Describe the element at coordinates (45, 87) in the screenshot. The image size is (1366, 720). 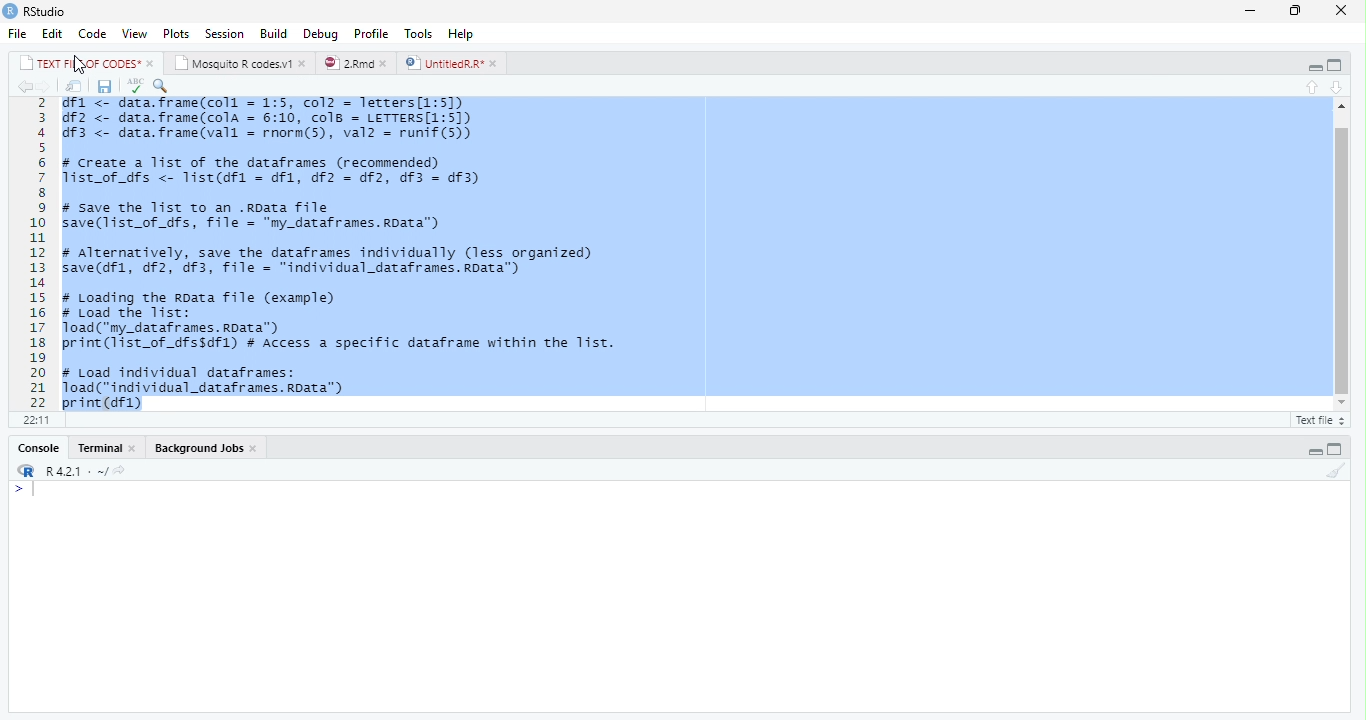
I see `Go to next location` at that location.